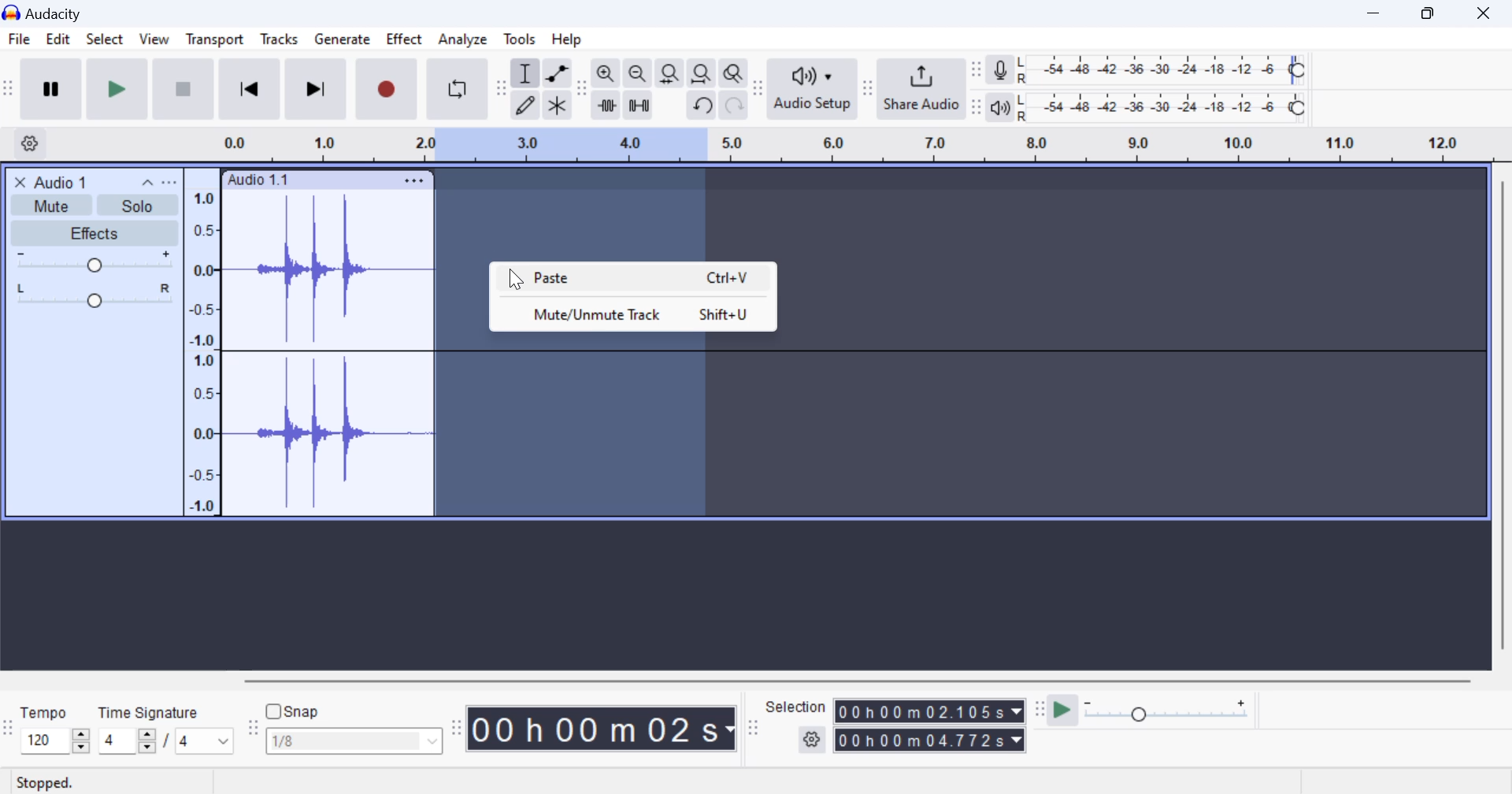  Describe the element at coordinates (813, 740) in the screenshot. I see `settings` at that location.